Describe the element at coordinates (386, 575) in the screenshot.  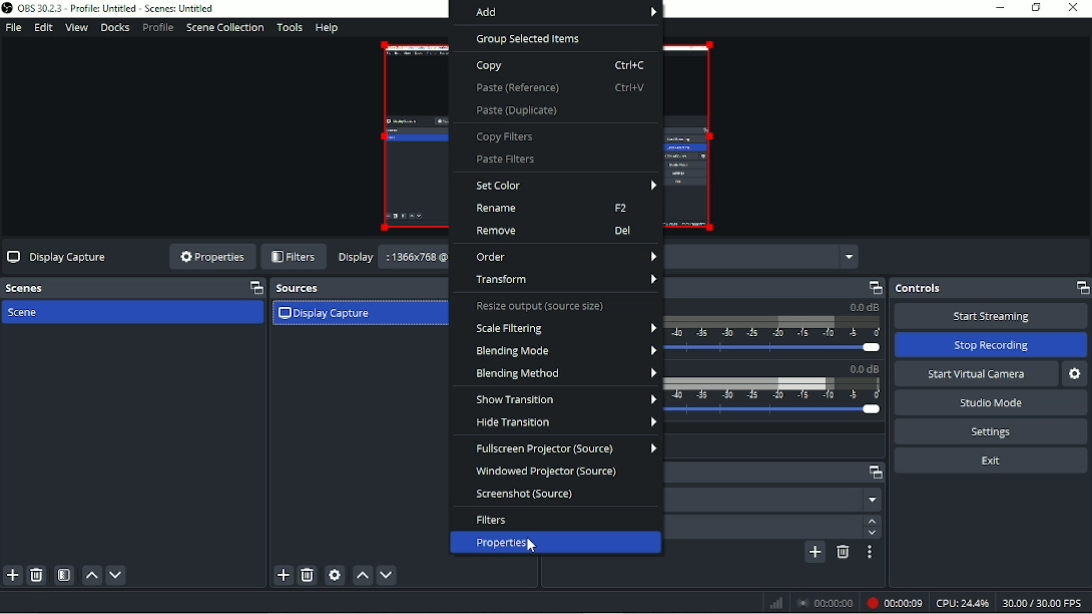
I see `Move source(s) down` at that location.